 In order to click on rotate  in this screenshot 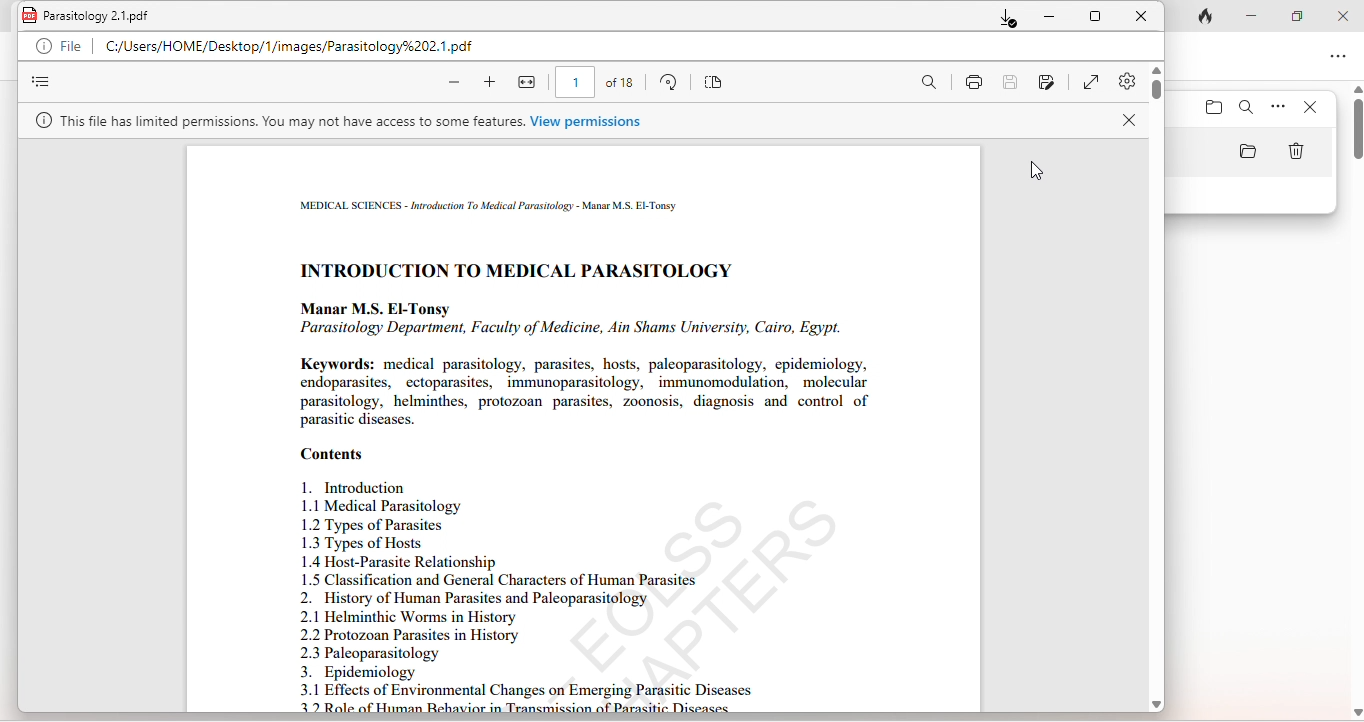, I will do `click(665, 83)`.